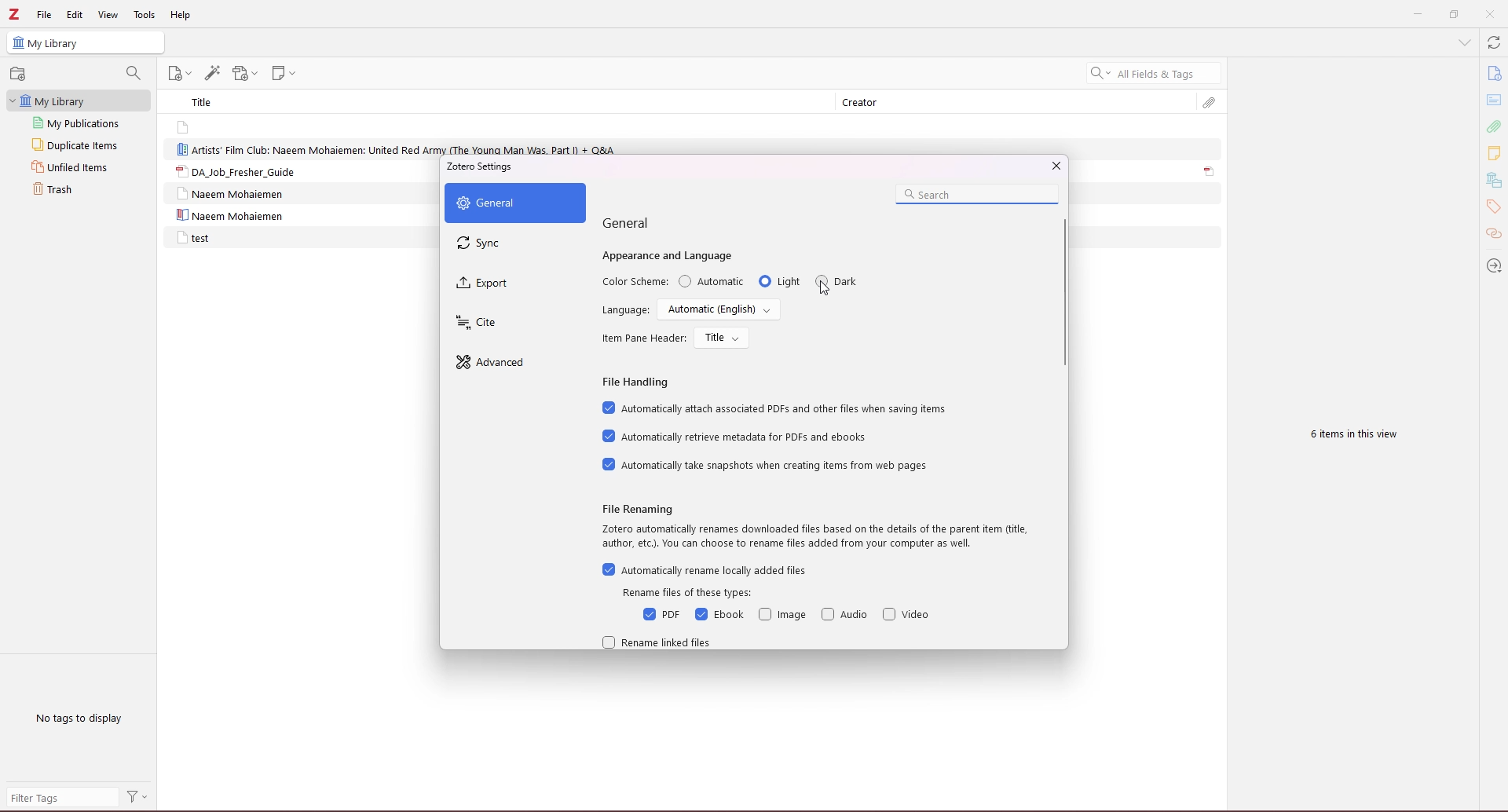 The image size is (1508, 812). What do you see at coordinates (810, 540) in the screenshot?
I see `Zotero automatically renames downloaded files based on the details of the parent item (title,
author, etc). You can choose to rename files added from your computer as well.` at bounding box center [810, 540].